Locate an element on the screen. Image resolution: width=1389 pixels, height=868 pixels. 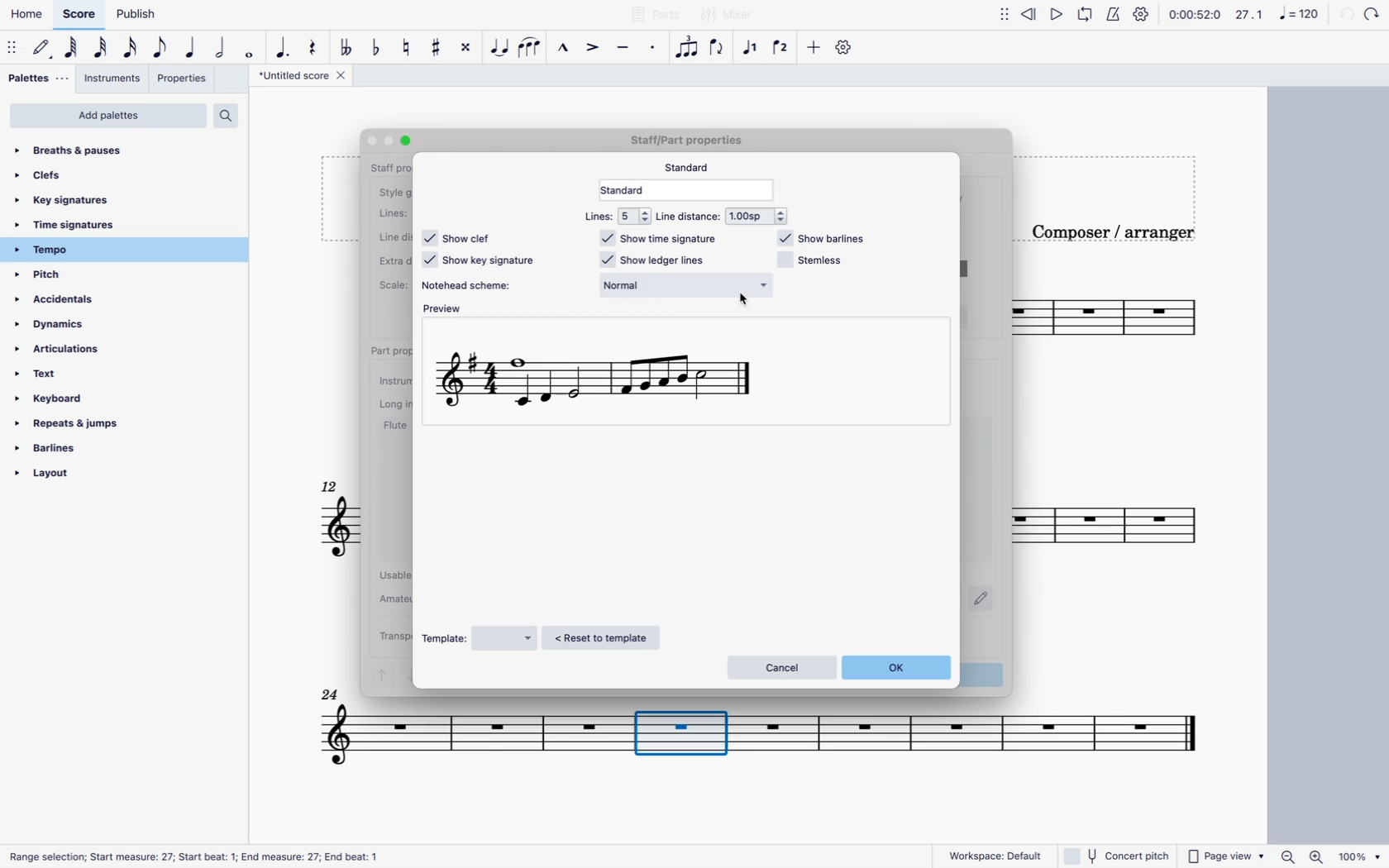
notehead scheme is located at coordinates (475, 285).